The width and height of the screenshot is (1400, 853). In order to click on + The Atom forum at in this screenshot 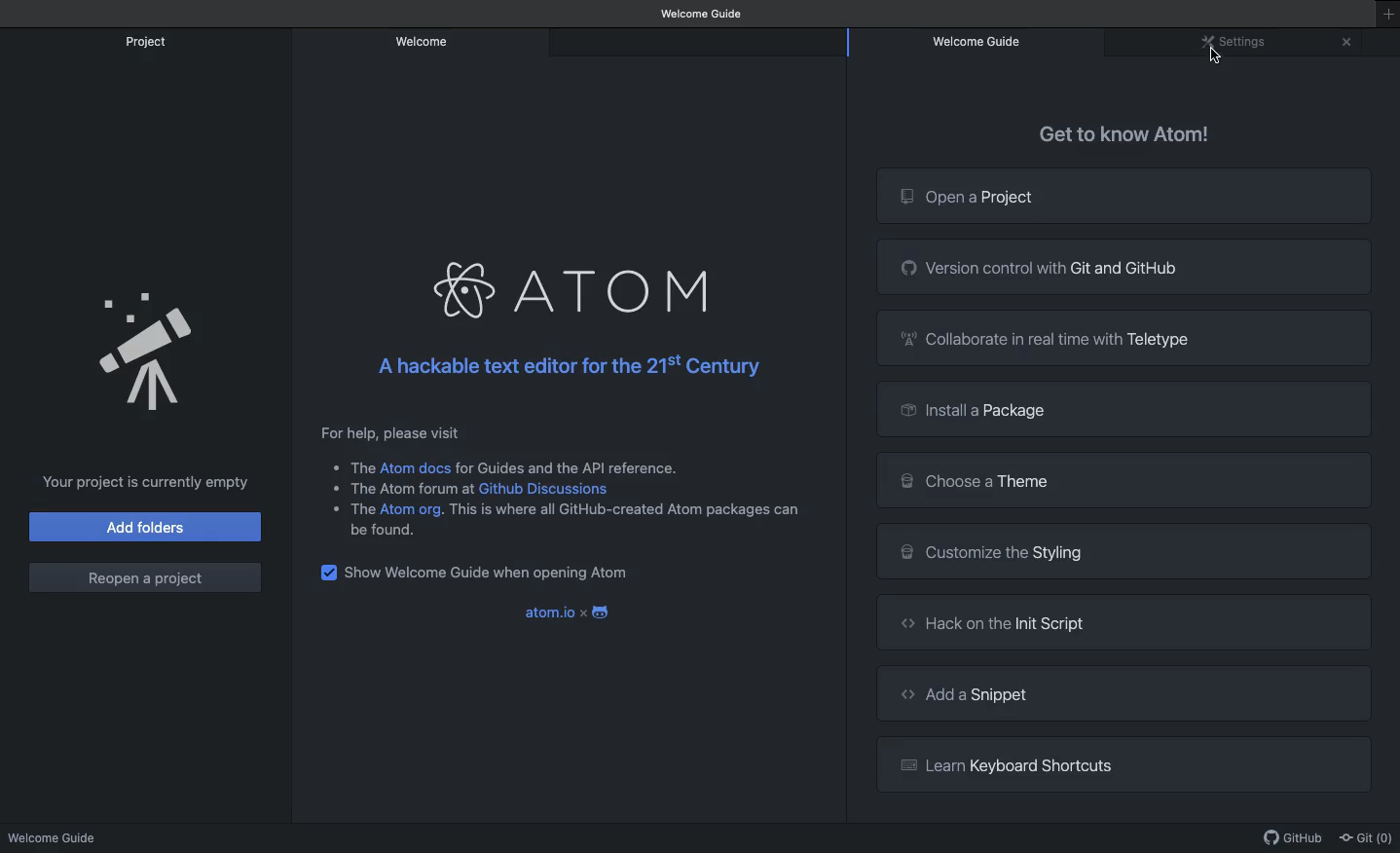, I will do `click(398, 487)`.